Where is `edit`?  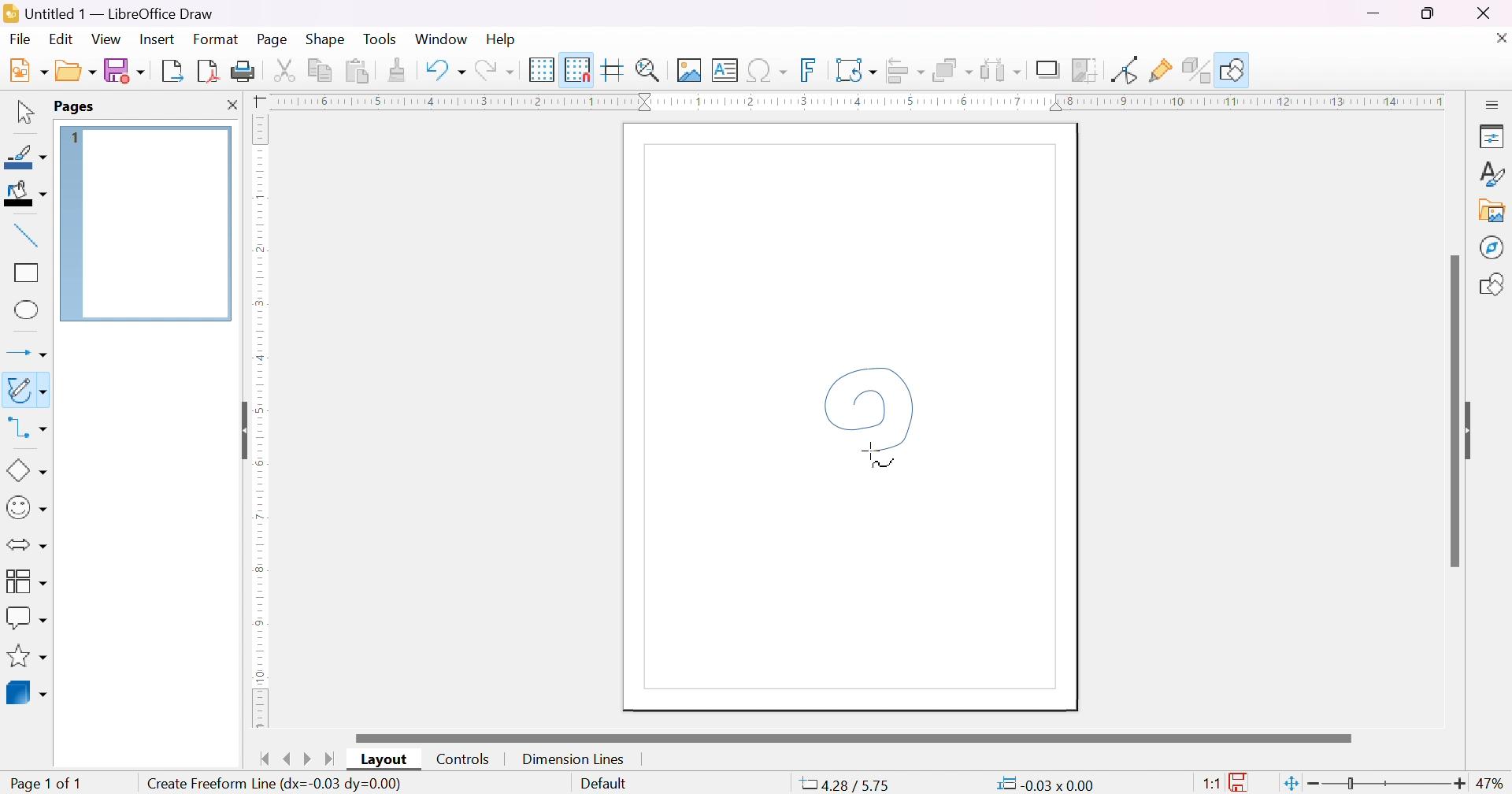
edit is located at coordinates (61, 37).